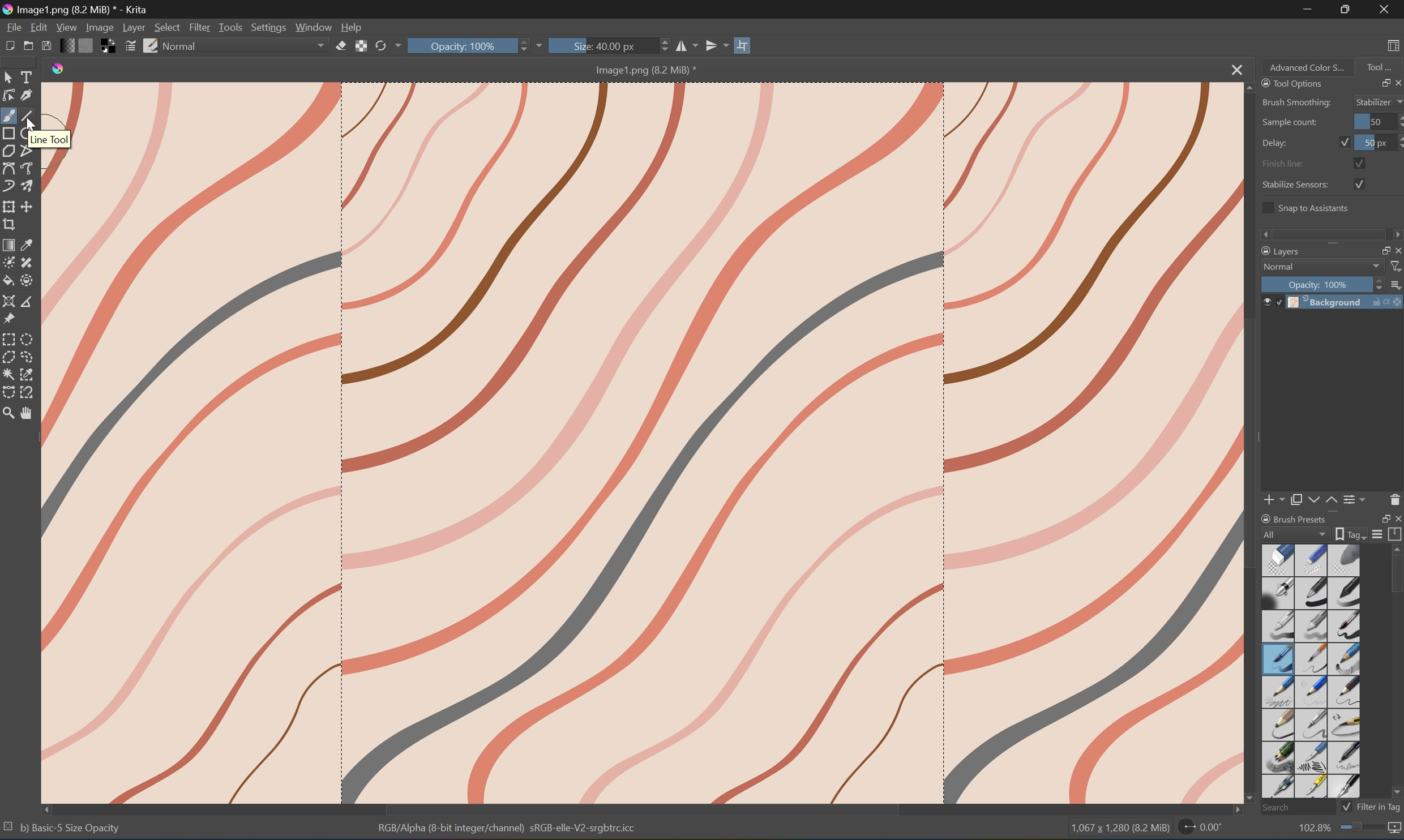  What do you see at coordinates (1396, 45) in the screenshot?
I see `Choose workspace` at bounding box center [1396, 45].